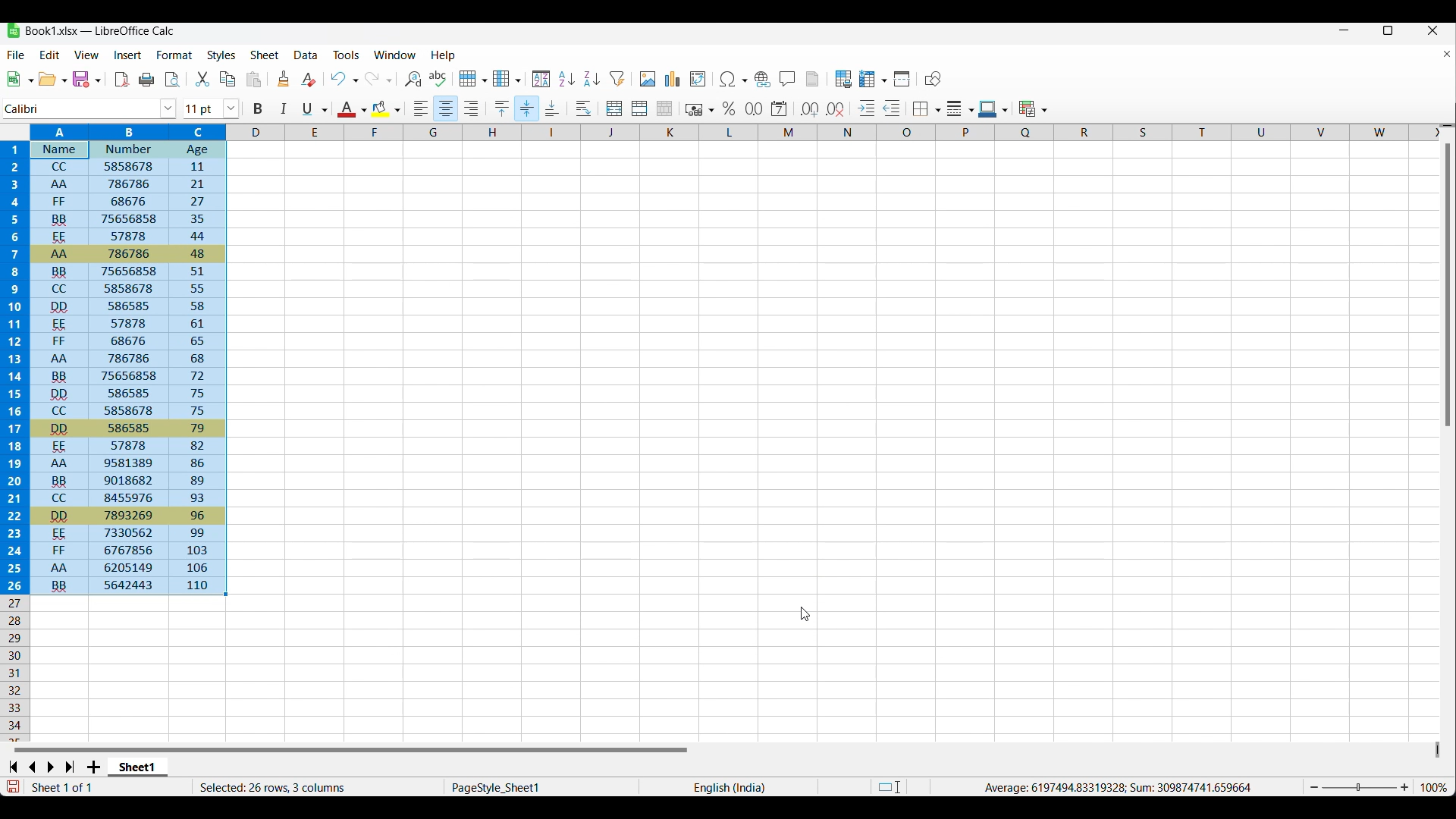 The width and height of the screenshot is (1456, 819). I want to click on Close document, so click(1447, 54).